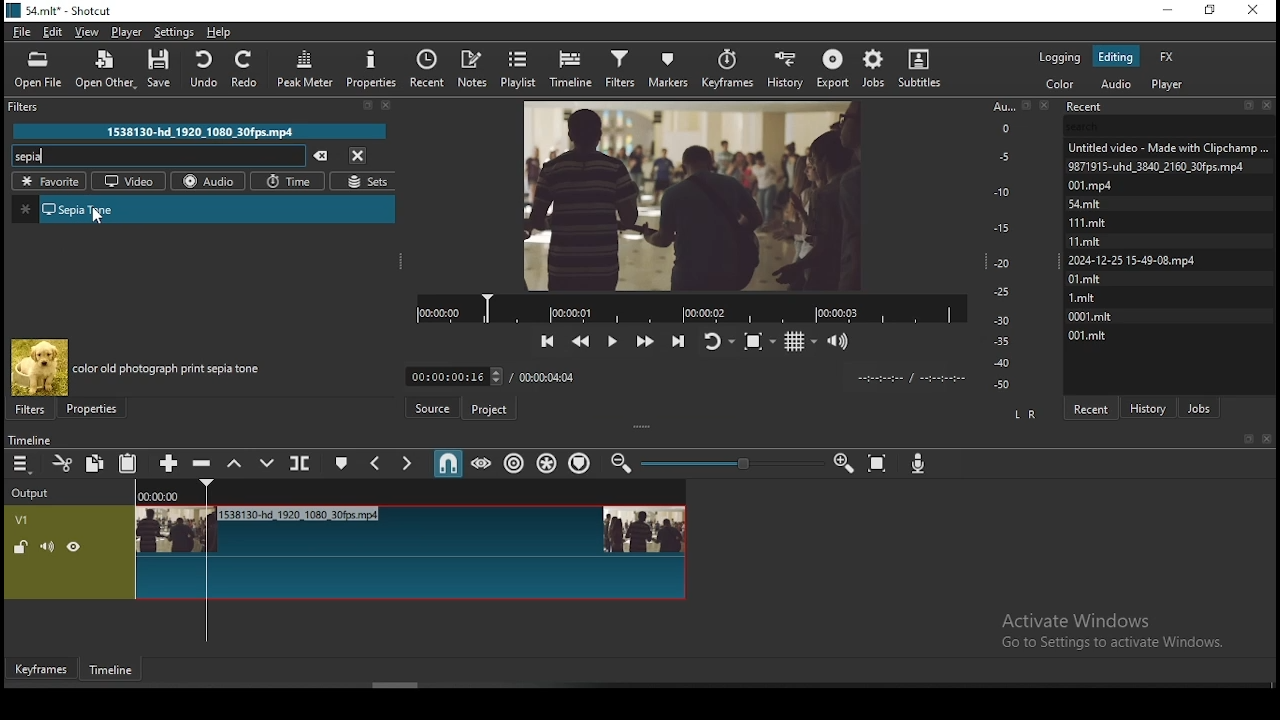  What do you see at coordinates (1116, 84) in the screenshot?
I see `audio` at bounding box center [1116, 84].